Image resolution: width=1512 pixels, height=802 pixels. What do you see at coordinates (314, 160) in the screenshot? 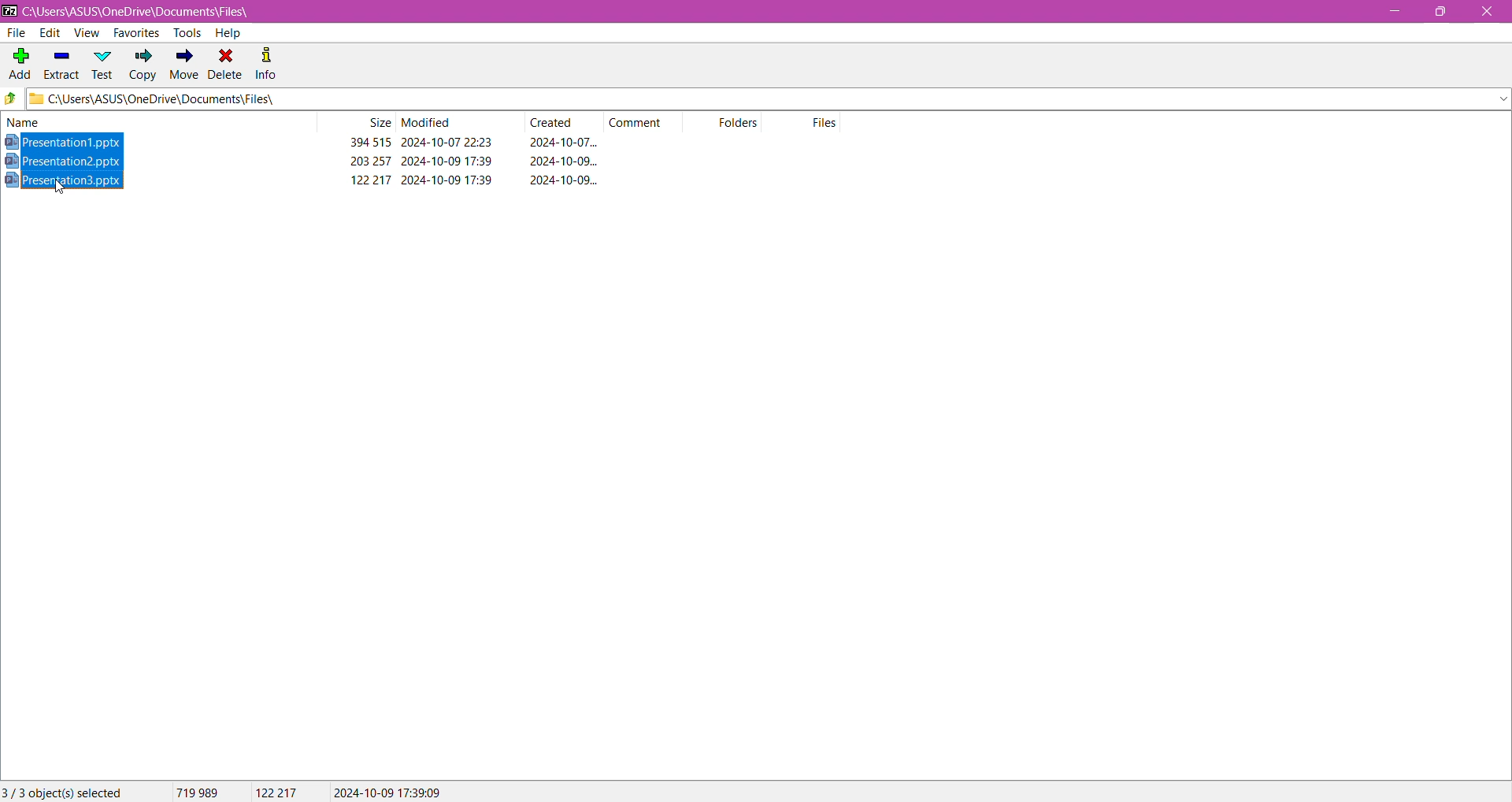
I see `Presentation2.pptx 203257 2024-10-09 17:39 2024-10-09...` at bounding box center [314, 160].